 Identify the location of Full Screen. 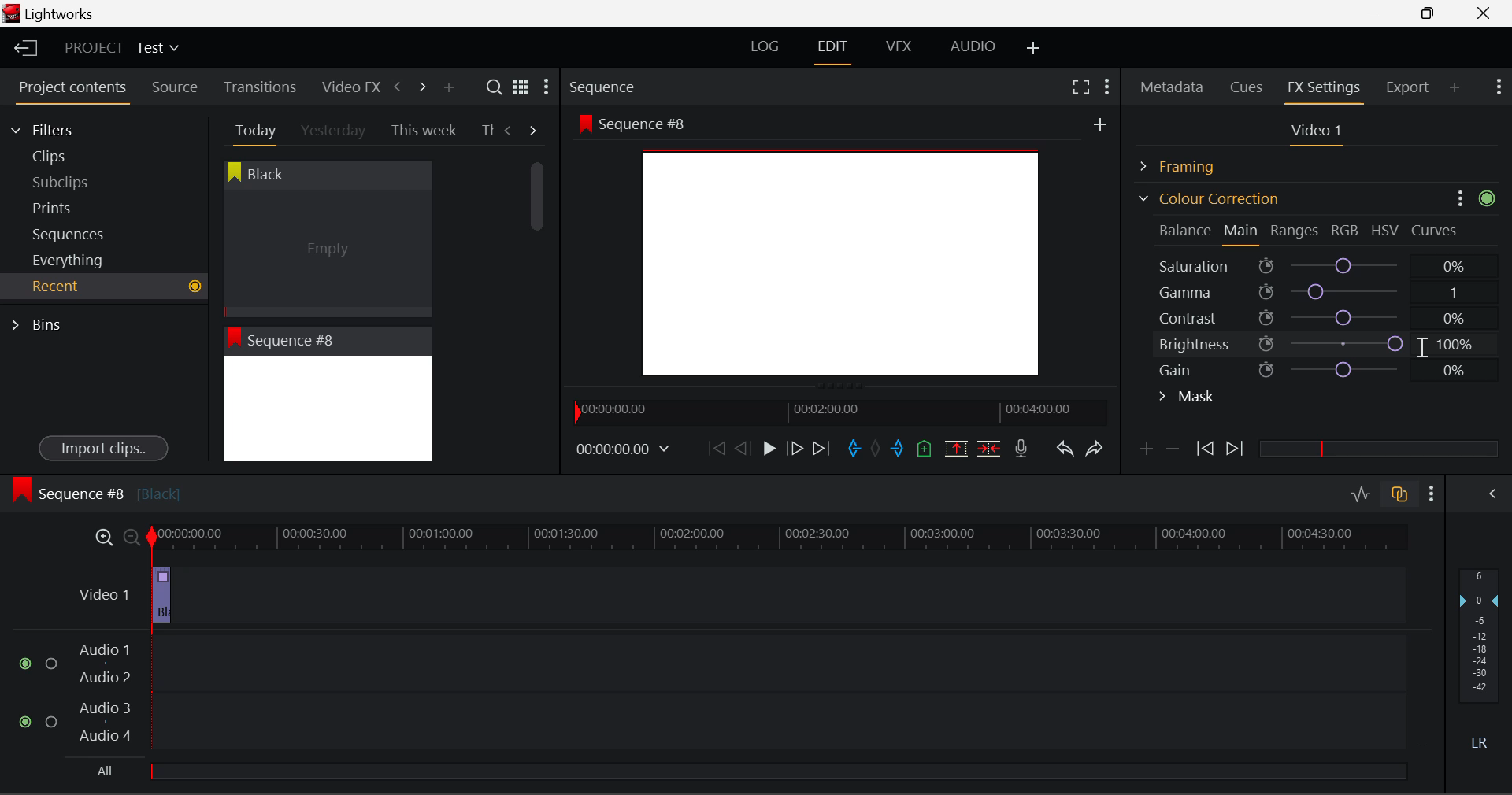
(1080, 86).